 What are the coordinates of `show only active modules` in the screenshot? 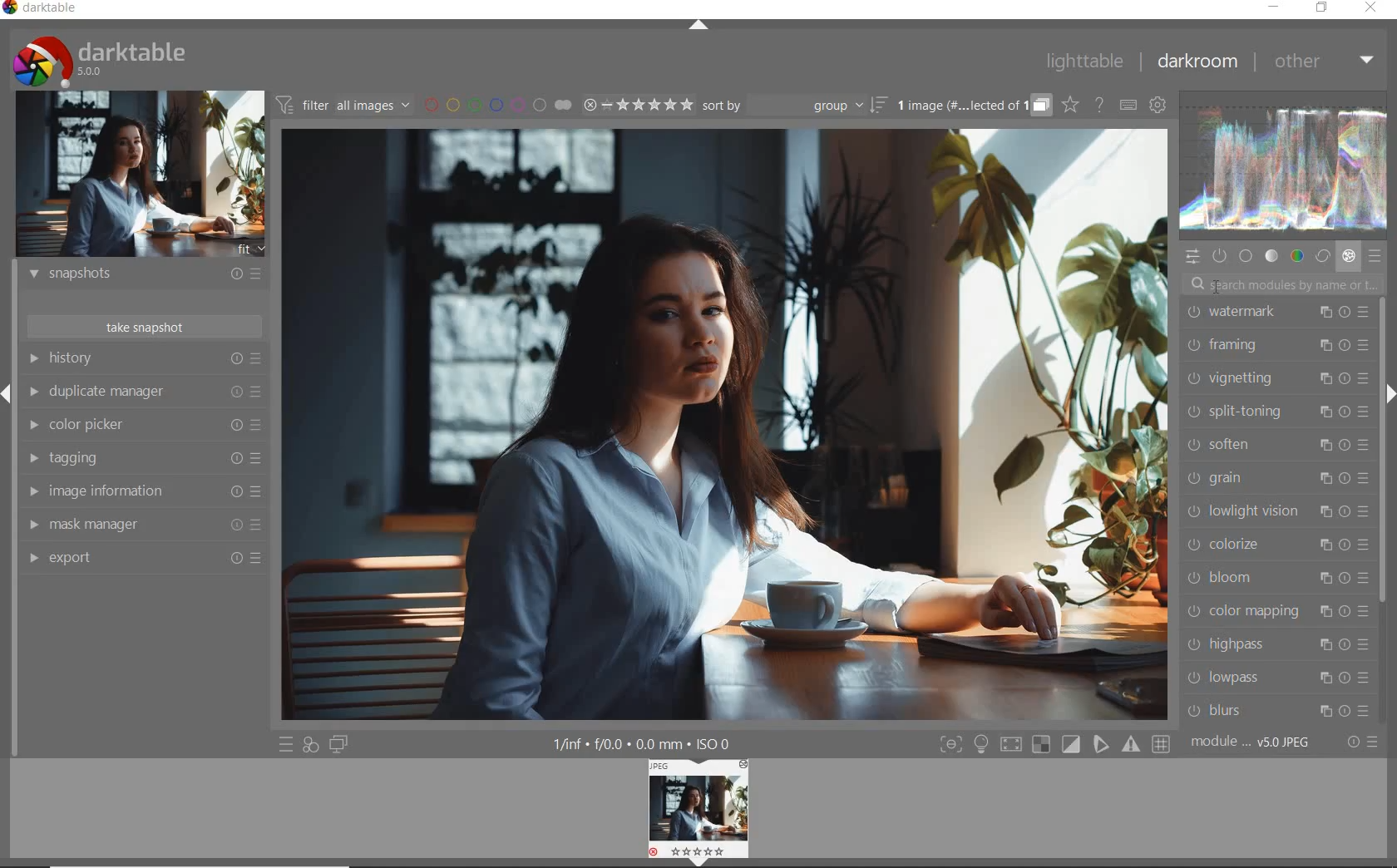 It's located at (1221, 254).